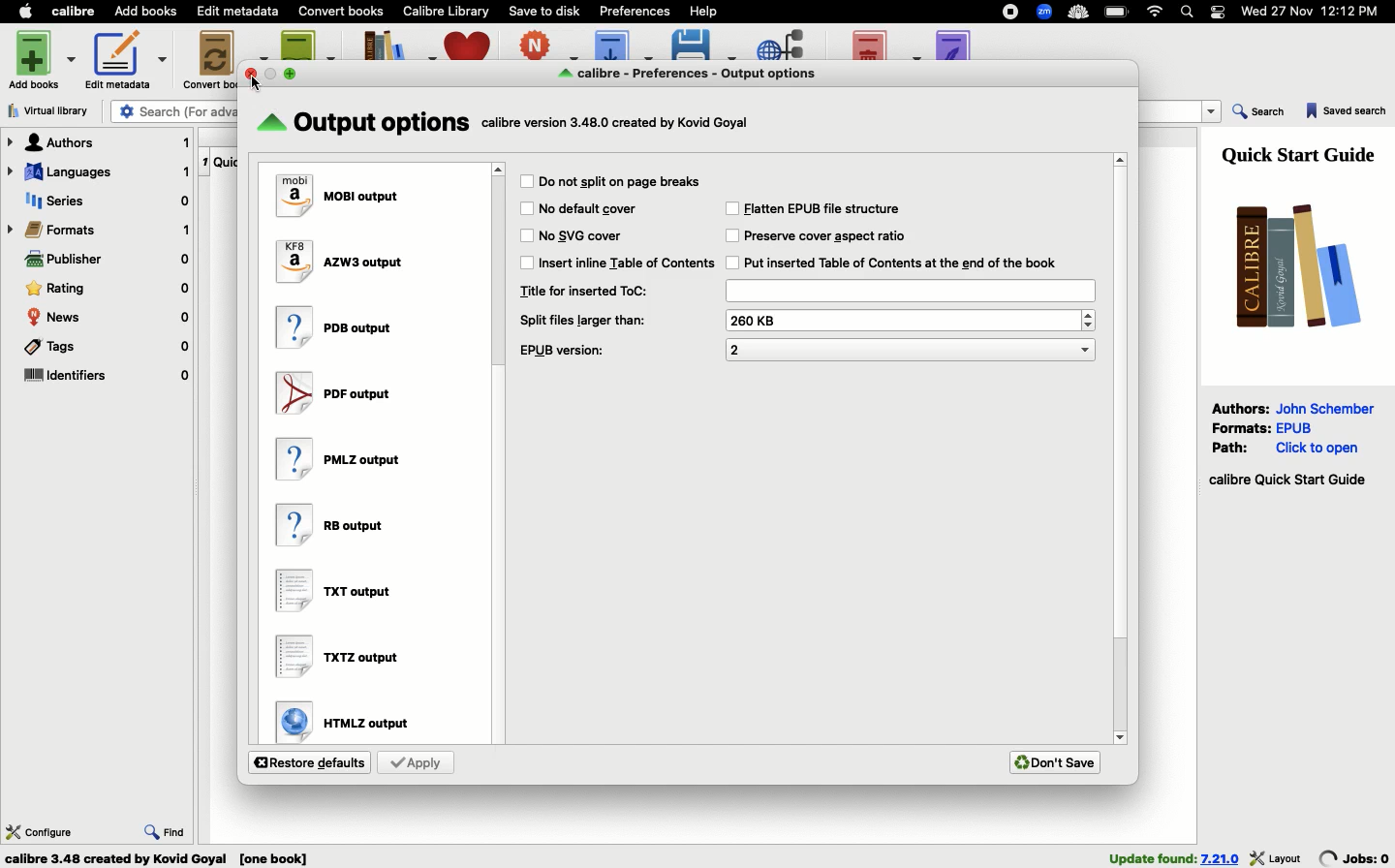  What do you see at coordinates (1121, 444) in the screenshot?
I see `Scroll` at bounding box center [1121, 444].